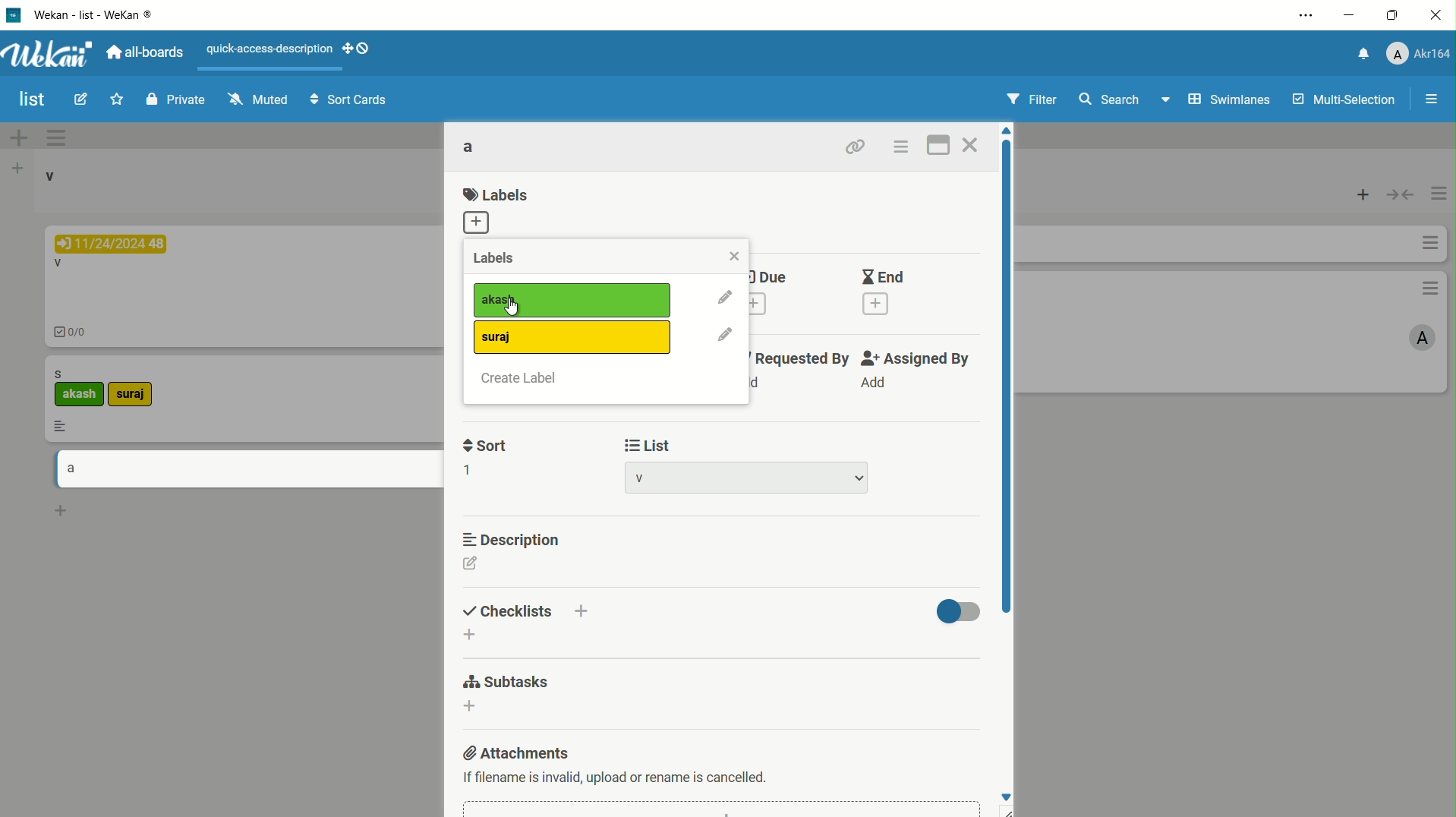  I want to click on card name, so click(470, 148).